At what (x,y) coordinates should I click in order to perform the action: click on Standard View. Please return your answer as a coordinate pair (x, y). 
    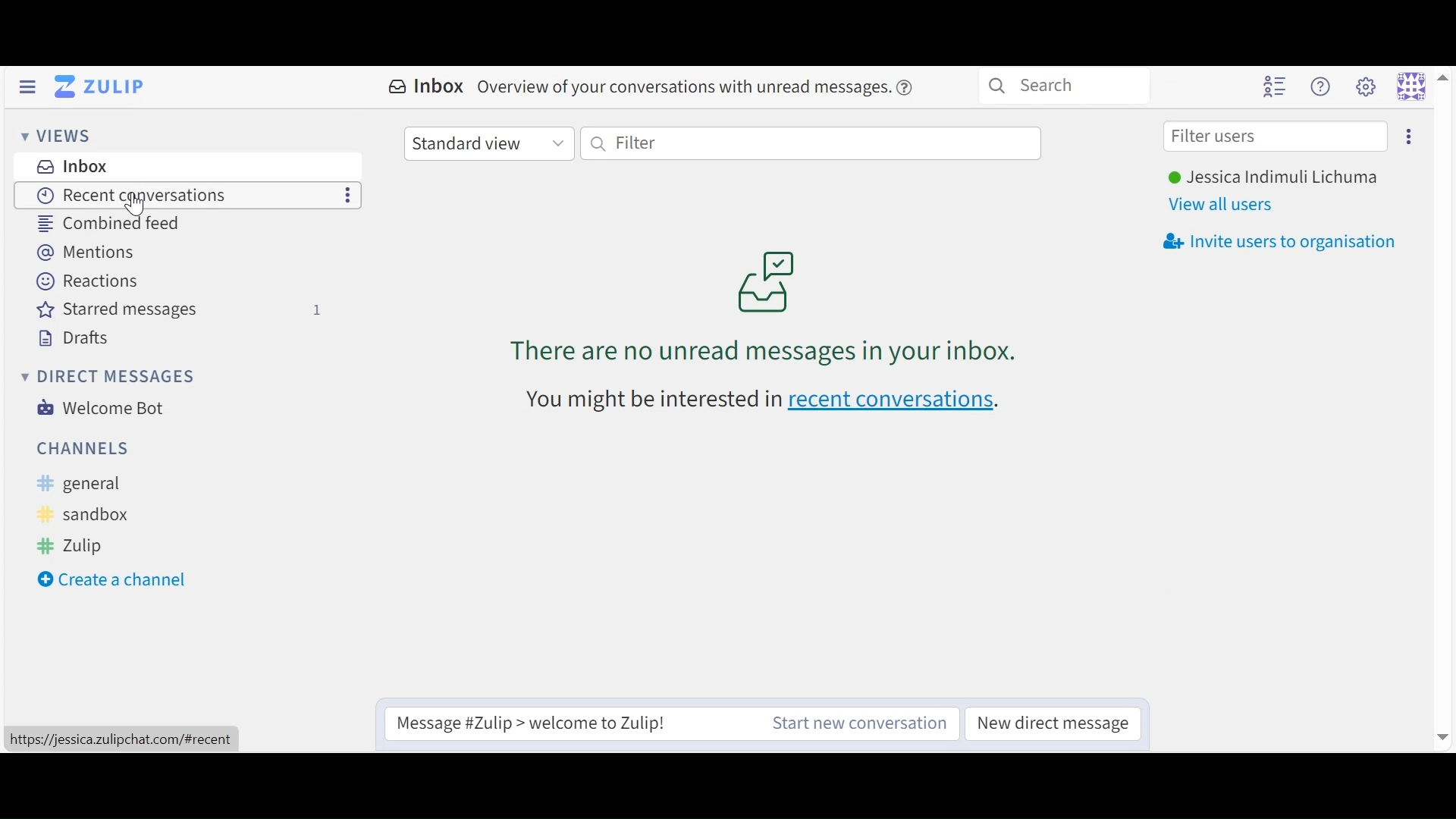
    Looking at the image, I should click on (490, 145).